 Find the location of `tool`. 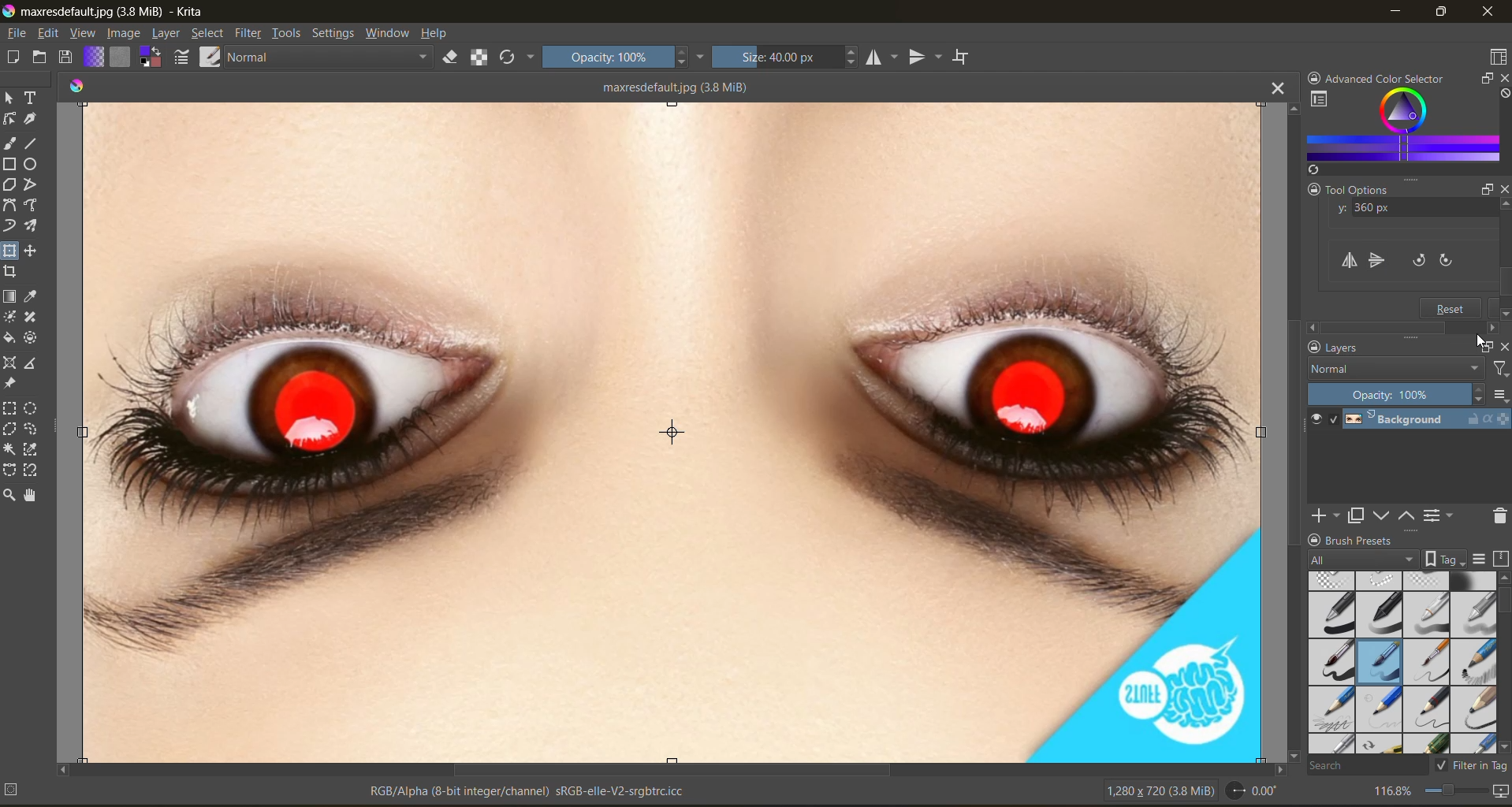

tool is located at coordinates (32, 98).